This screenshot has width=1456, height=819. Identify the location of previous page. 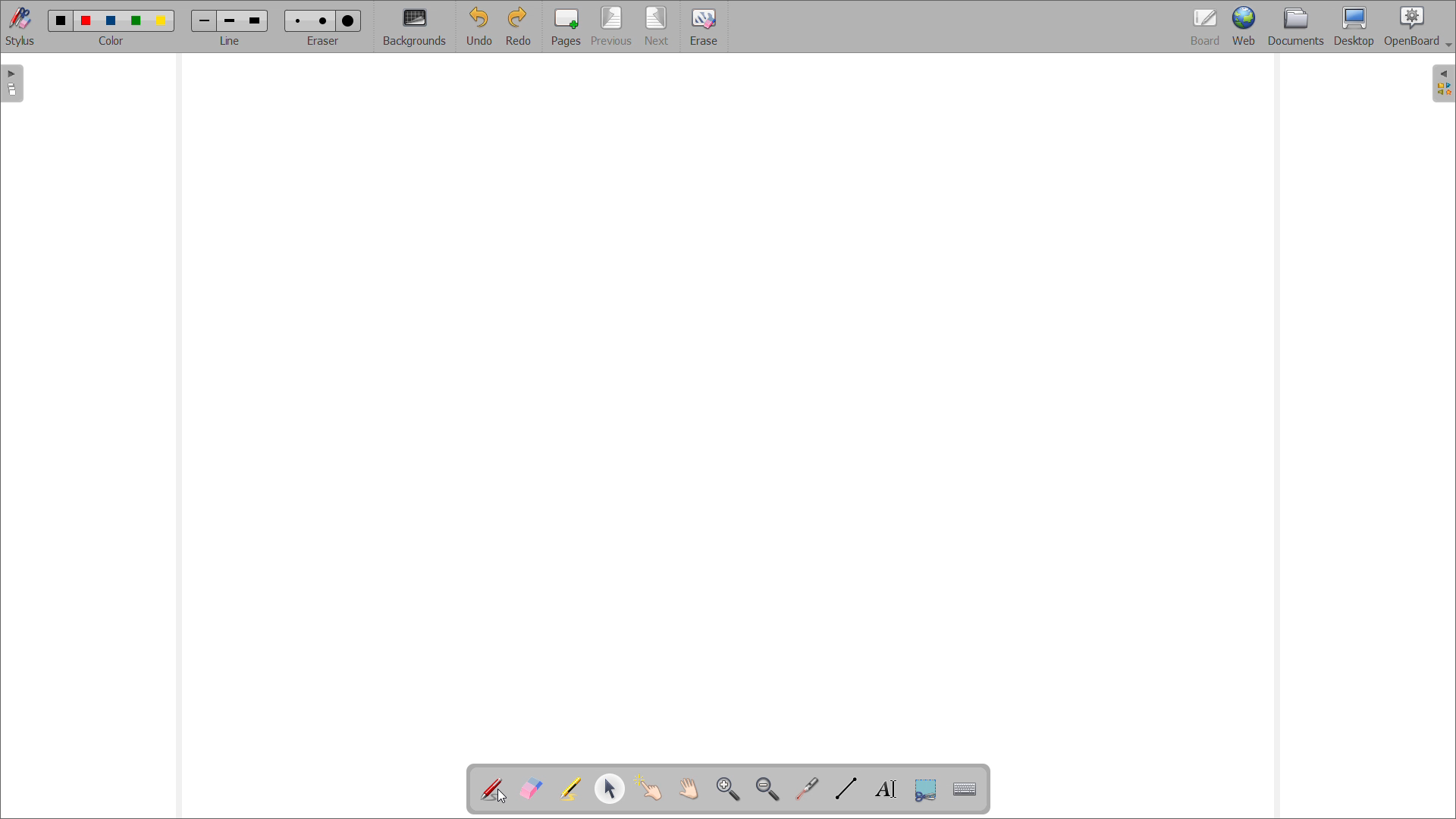
(612, 26).